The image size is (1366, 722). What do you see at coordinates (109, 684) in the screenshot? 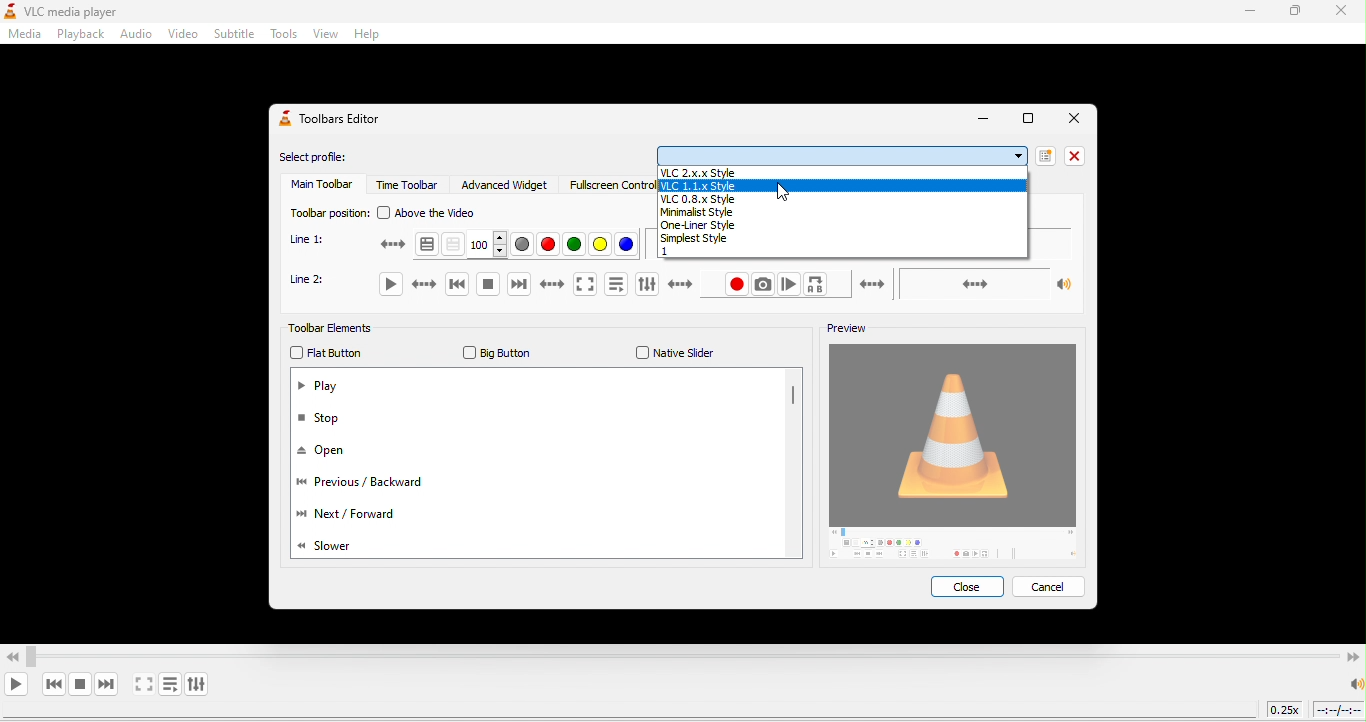
I see `next media` at bounding box center [109, 684].